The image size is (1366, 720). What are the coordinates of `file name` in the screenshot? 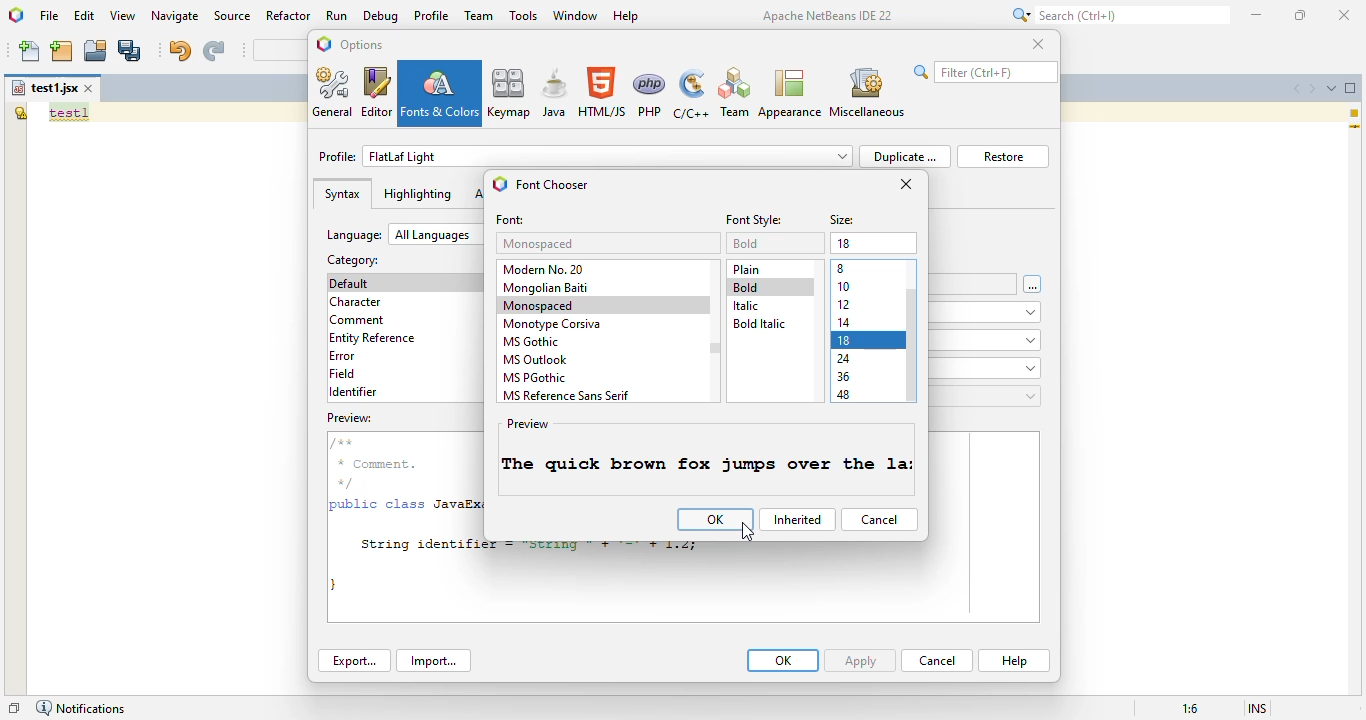 It's located at (44, 88).